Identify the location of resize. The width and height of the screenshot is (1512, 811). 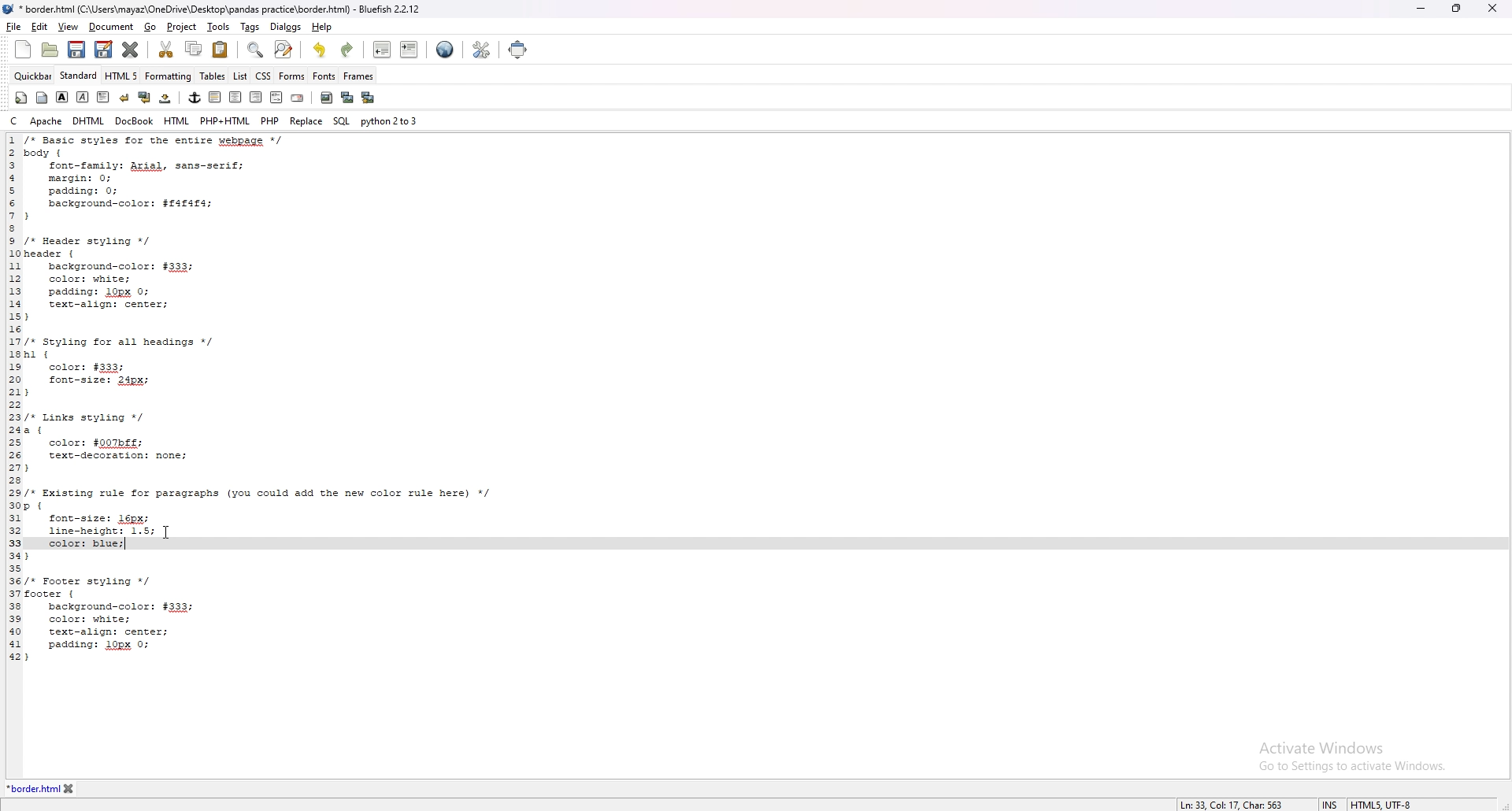
(1457, 8).